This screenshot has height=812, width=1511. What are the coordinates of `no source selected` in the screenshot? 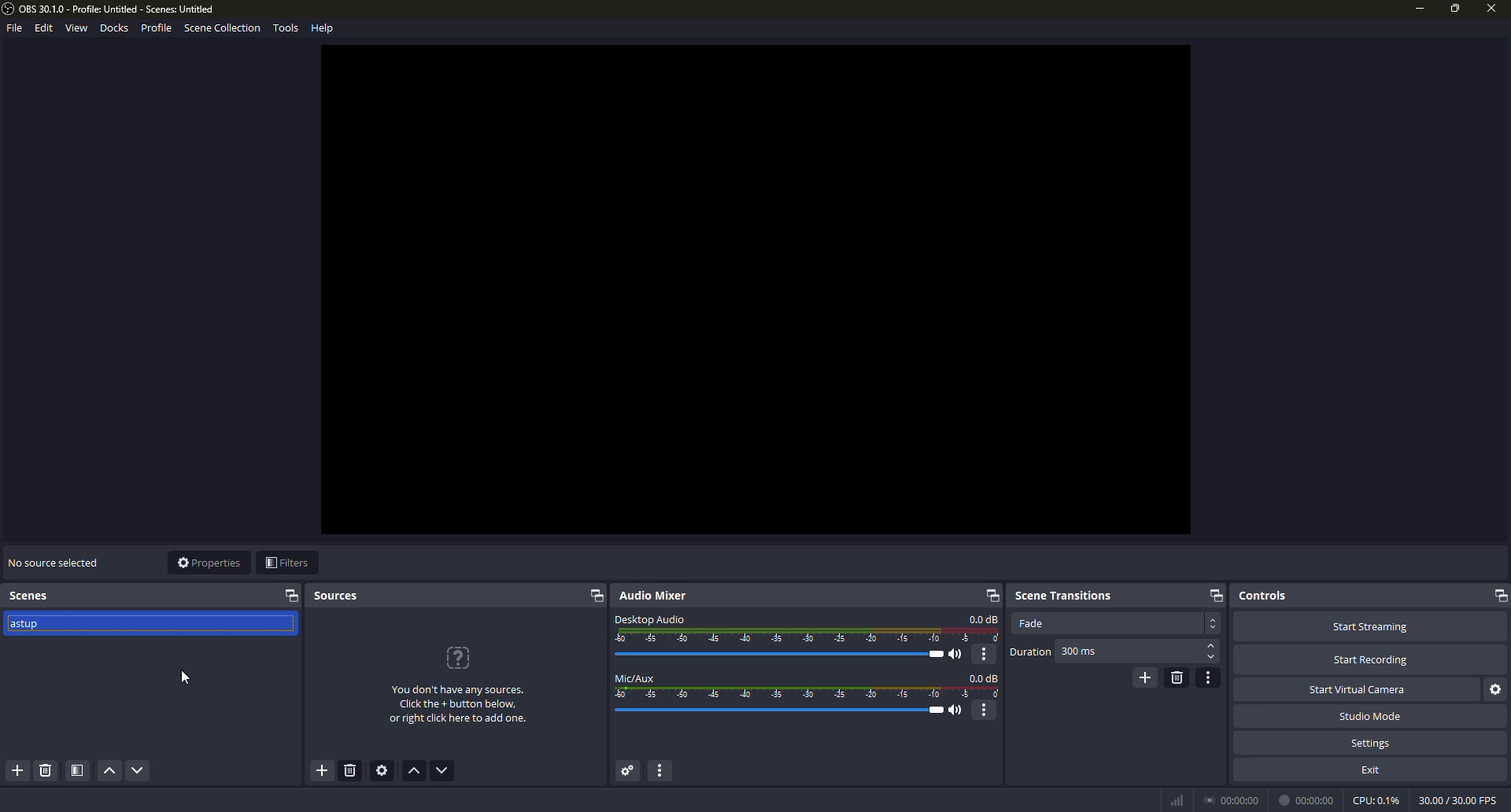 It's located at (53, 561).